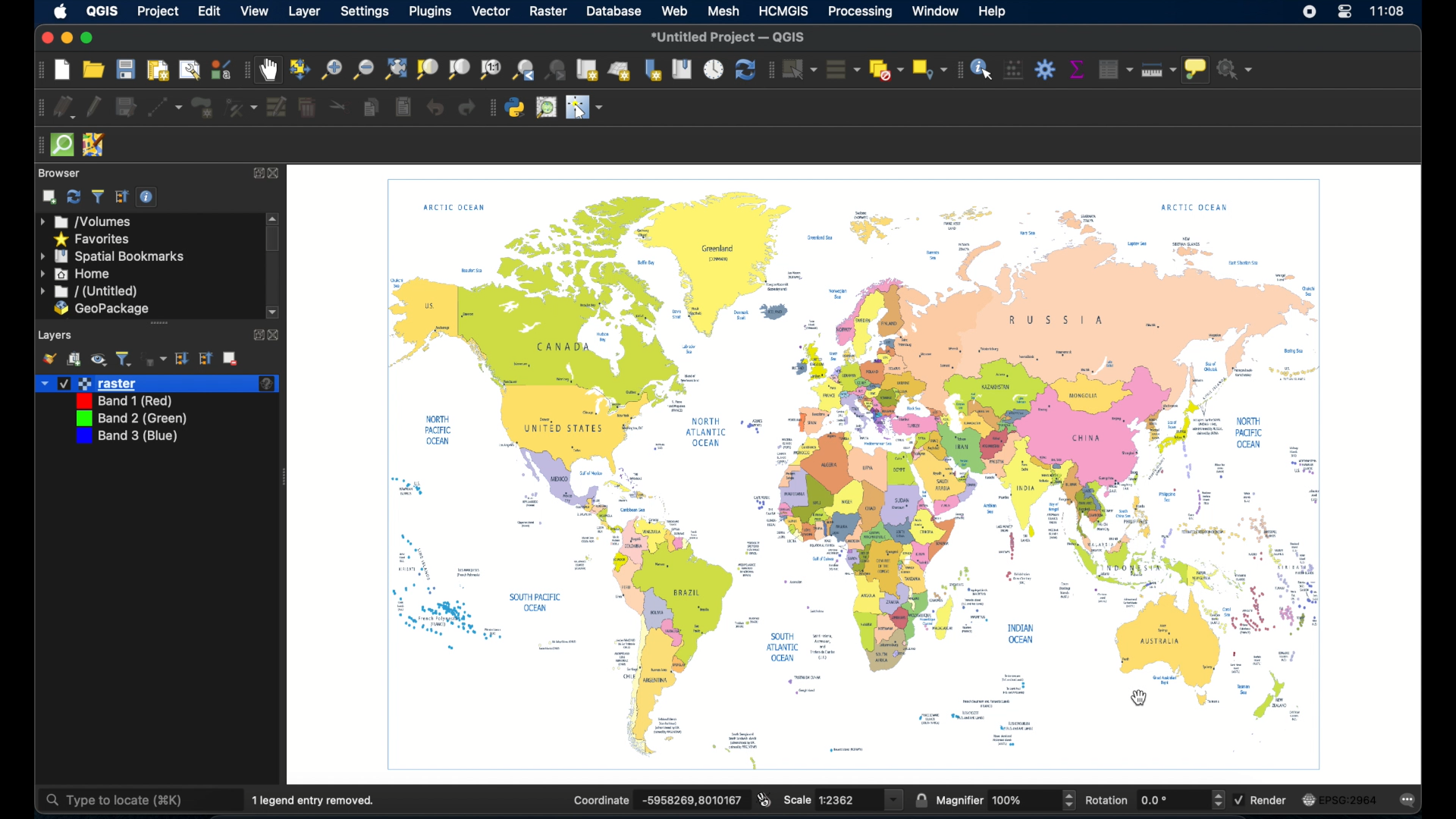 Image resolution: width=1456 pixels, height=819 pixels. Describe the element at coordinates (1068, 800) in the screenshot. I see `Increase or decrease` at that location.